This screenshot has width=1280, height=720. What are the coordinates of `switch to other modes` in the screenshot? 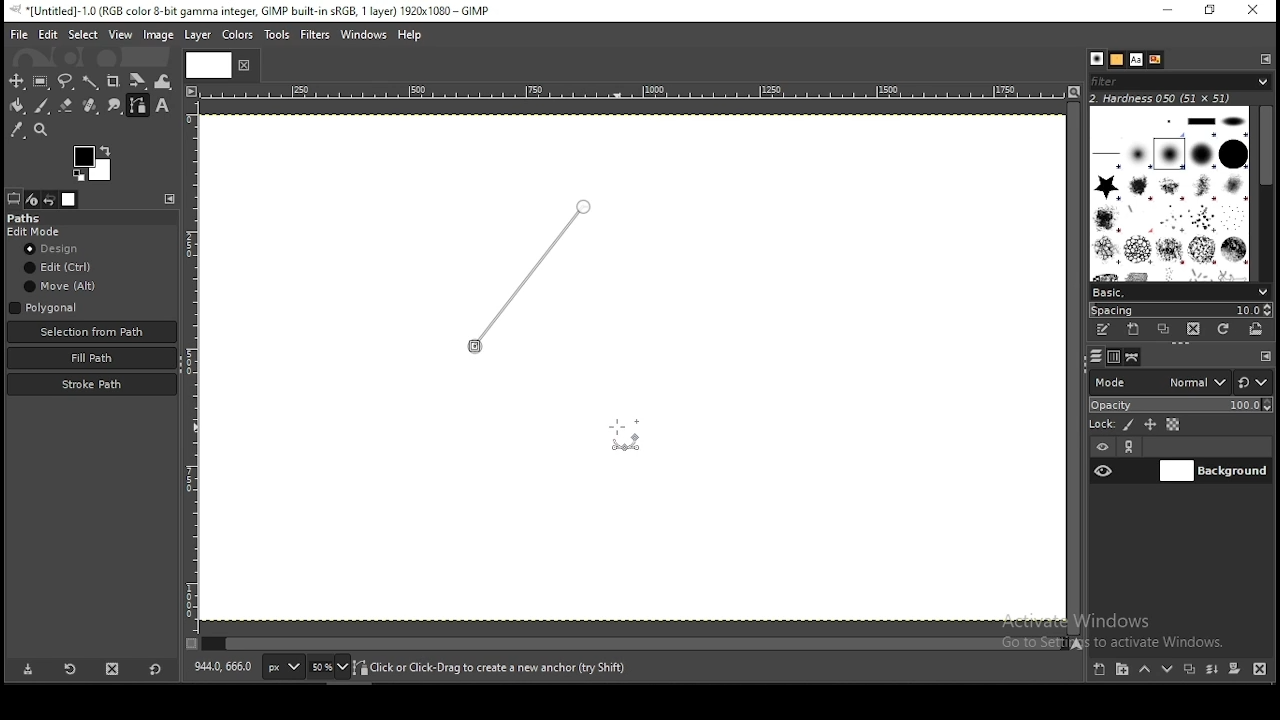 It's located at (1255, 382).